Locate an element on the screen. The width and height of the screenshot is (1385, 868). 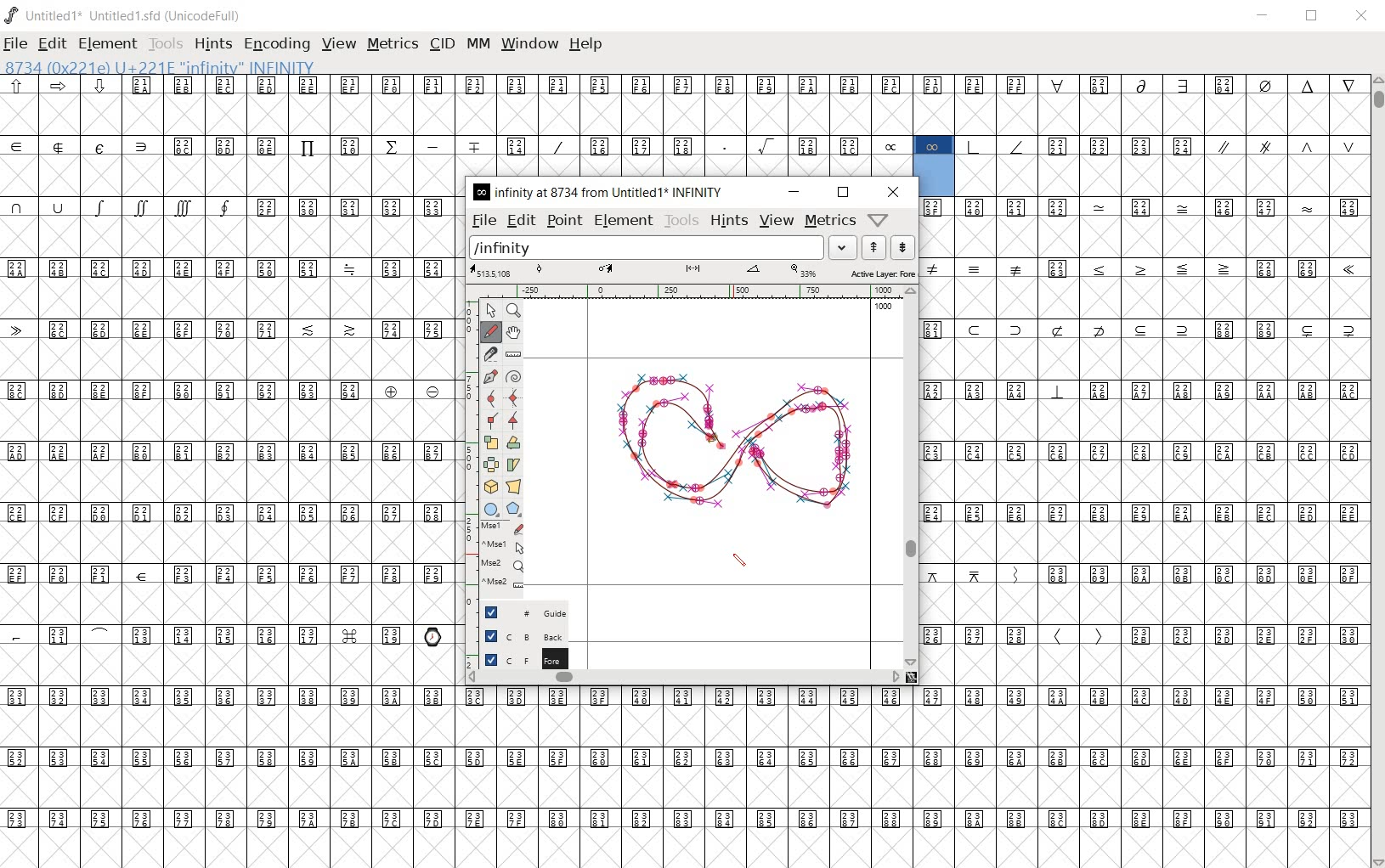
empty glyph slots is located at coordinates (231, 483).